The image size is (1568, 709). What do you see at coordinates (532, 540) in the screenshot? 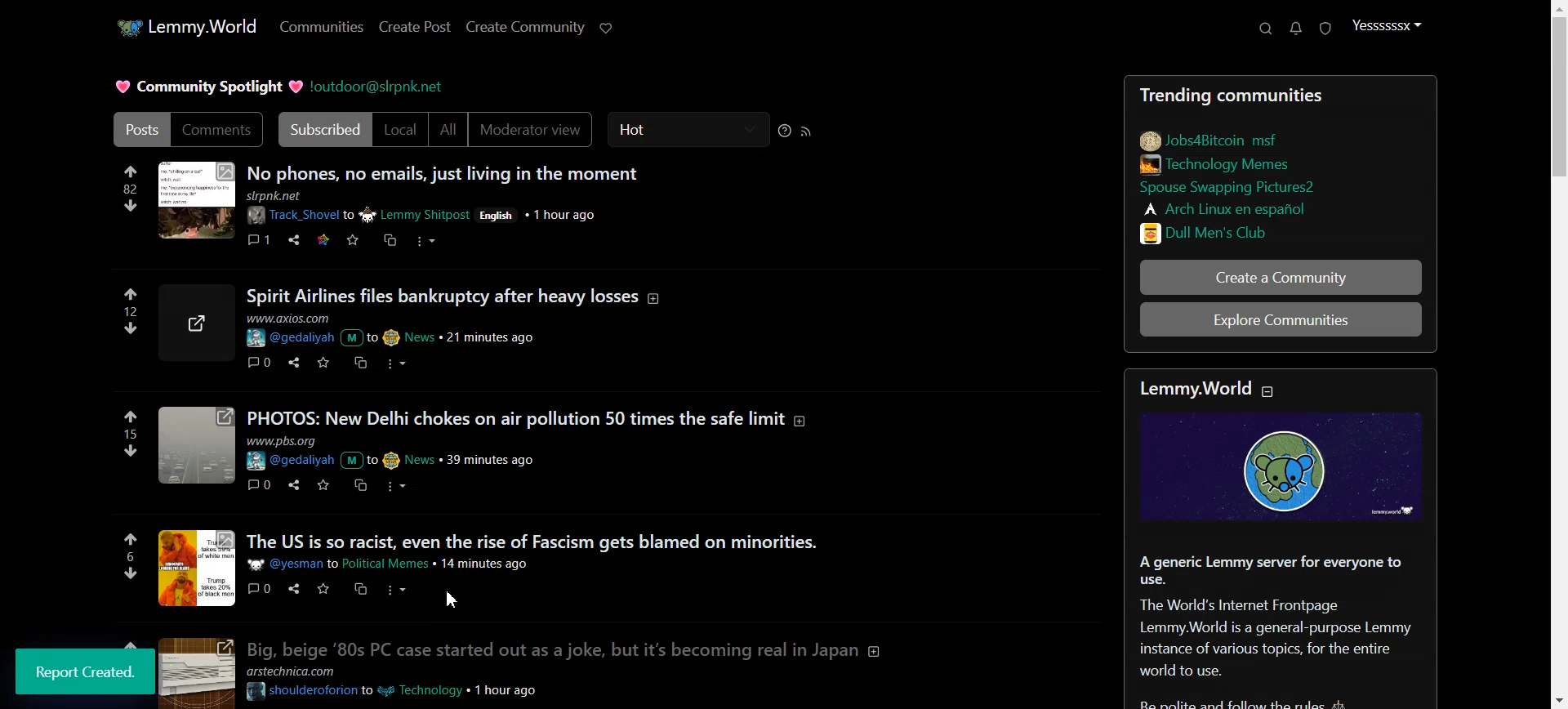
I see `post` at bounding box center [532, 540].